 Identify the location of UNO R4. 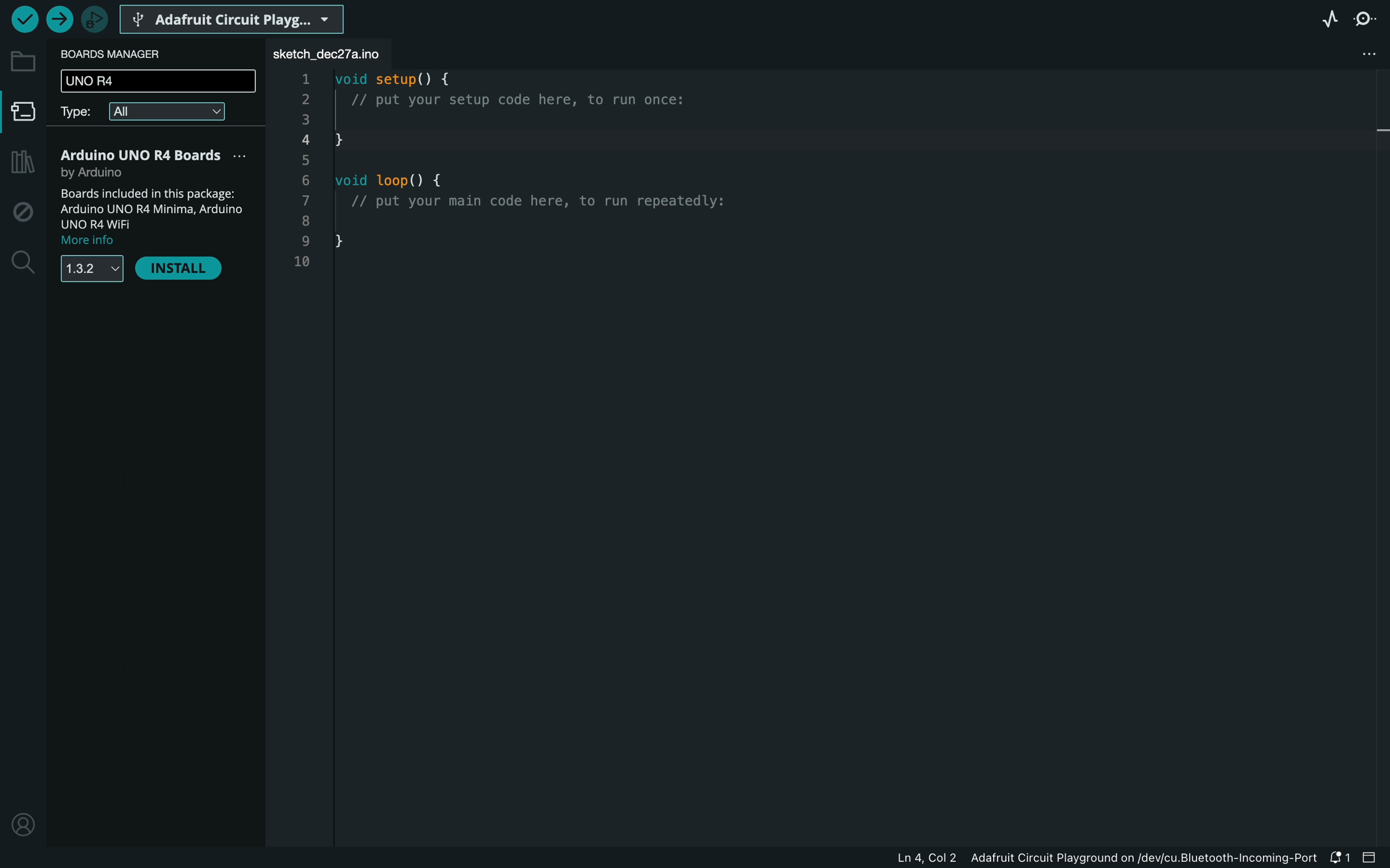
(159, 81).